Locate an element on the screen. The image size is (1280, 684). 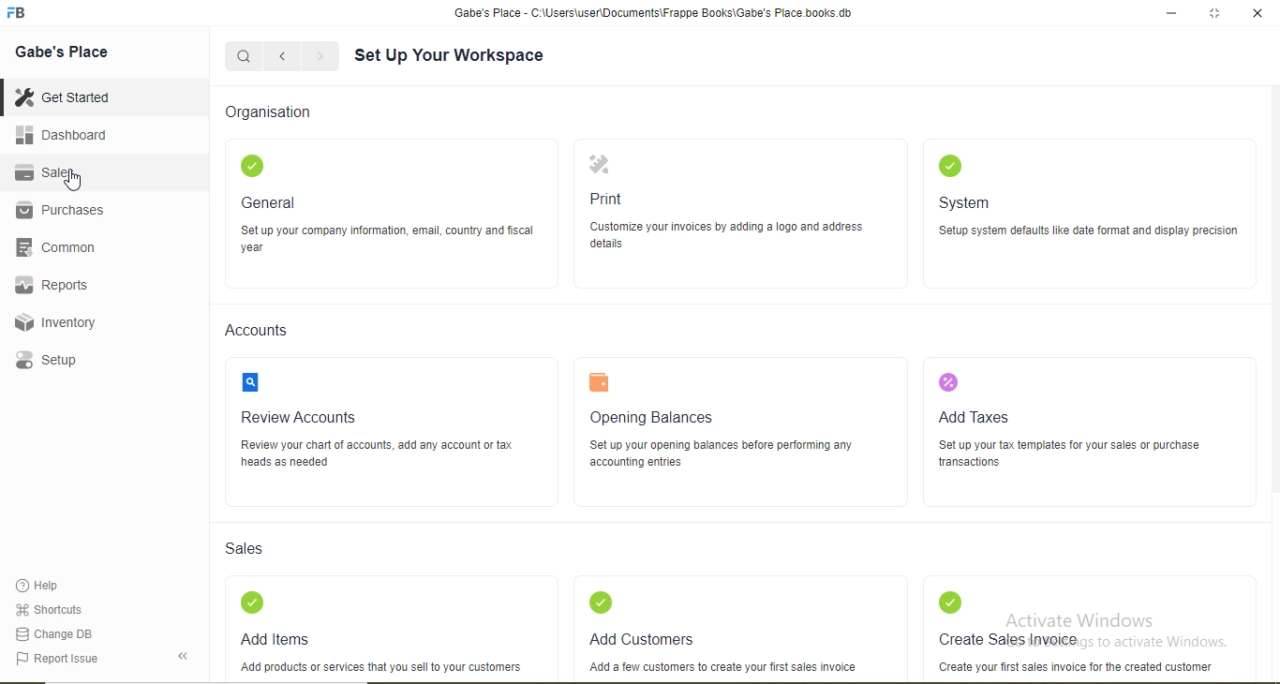
logo is located at coordinates (944, 384).